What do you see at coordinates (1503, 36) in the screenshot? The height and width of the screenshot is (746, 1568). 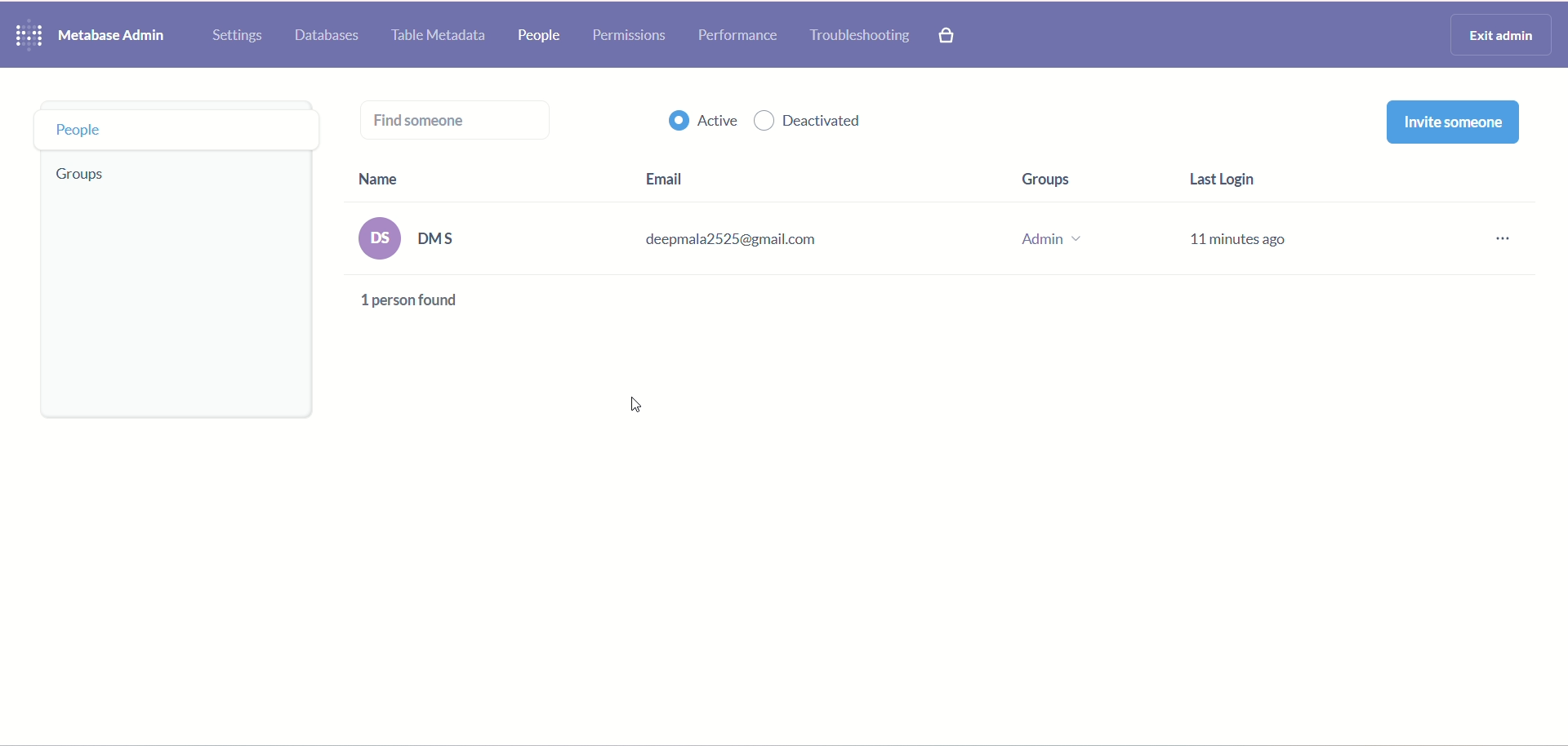 I see `exit admin` at bounding box center [1503, 36].